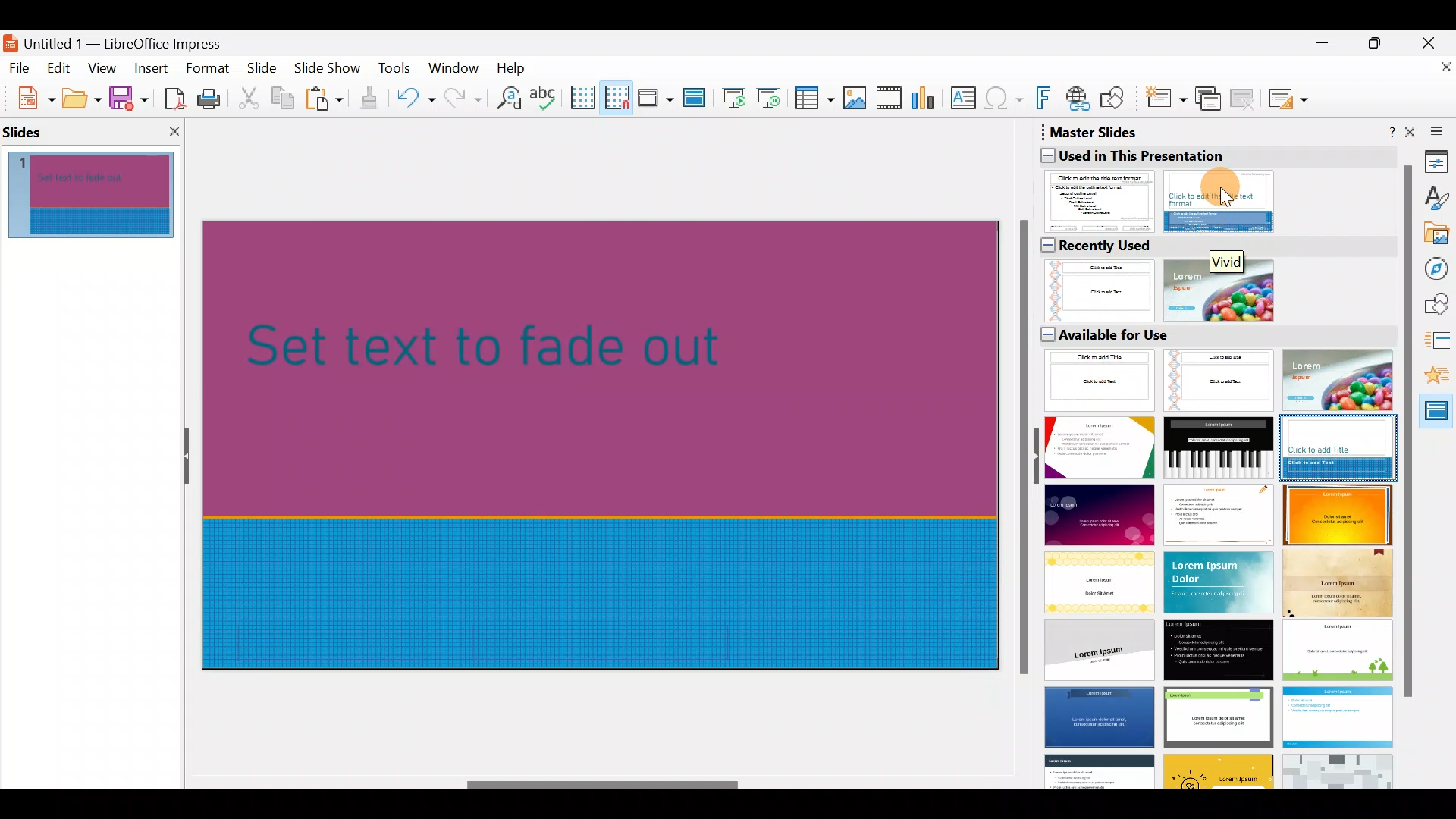 This screenshot has height=819, width=1456. Describe the element at coordinates (372, 99) in the screenshot. I see `Clone formatting` at that location.